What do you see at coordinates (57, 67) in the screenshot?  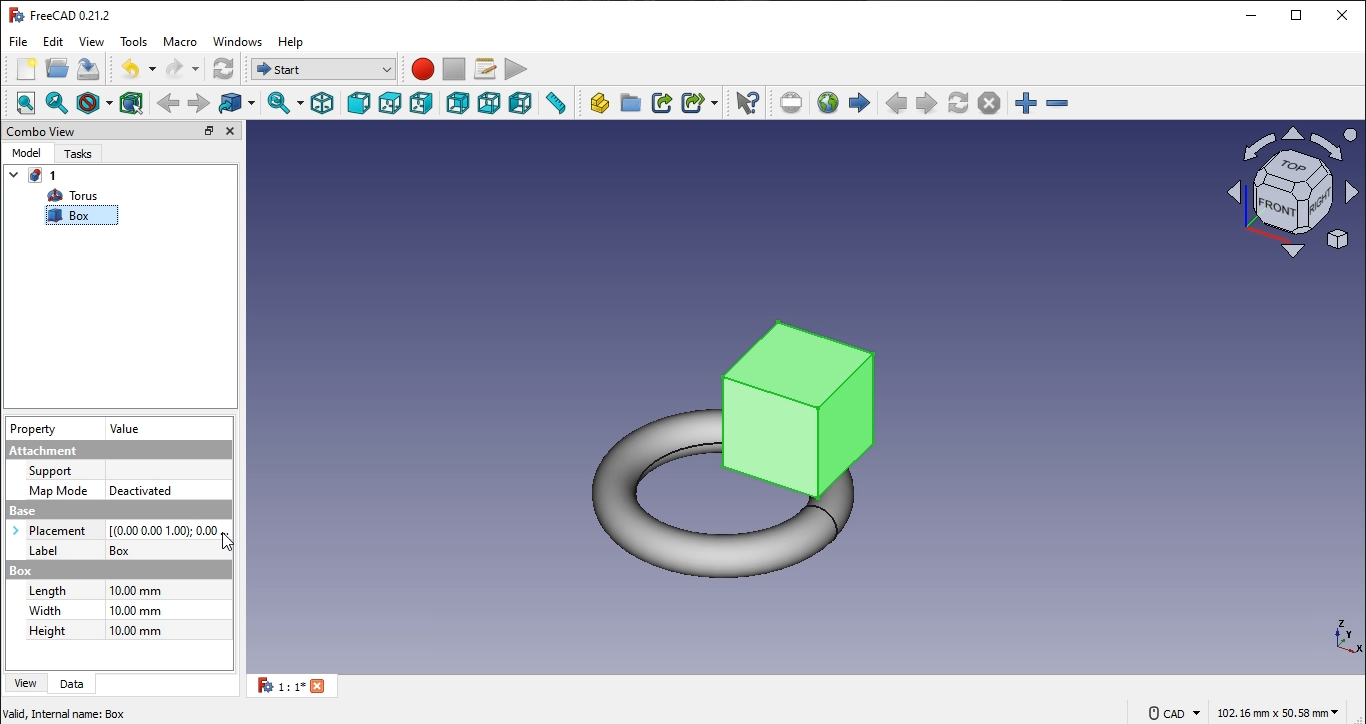 I see `open file` at bounding box center [57, 67].